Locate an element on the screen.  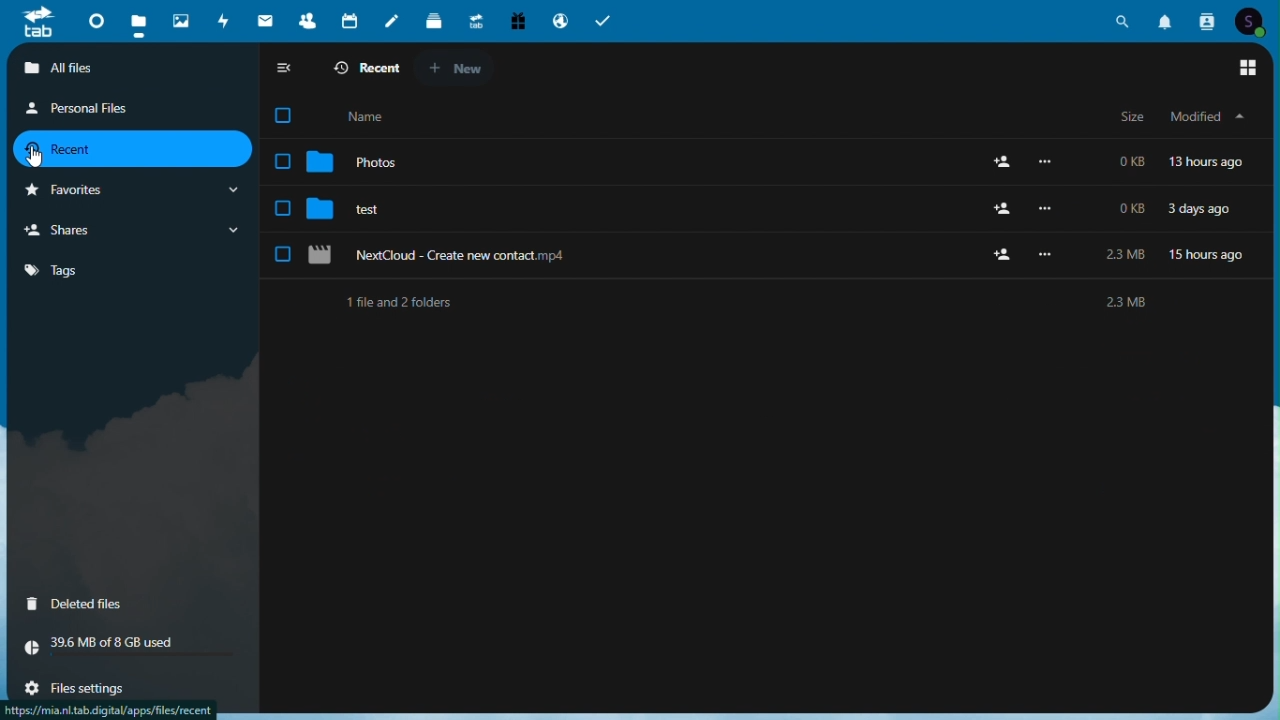
0kb is located at coordinates (1134, 161).